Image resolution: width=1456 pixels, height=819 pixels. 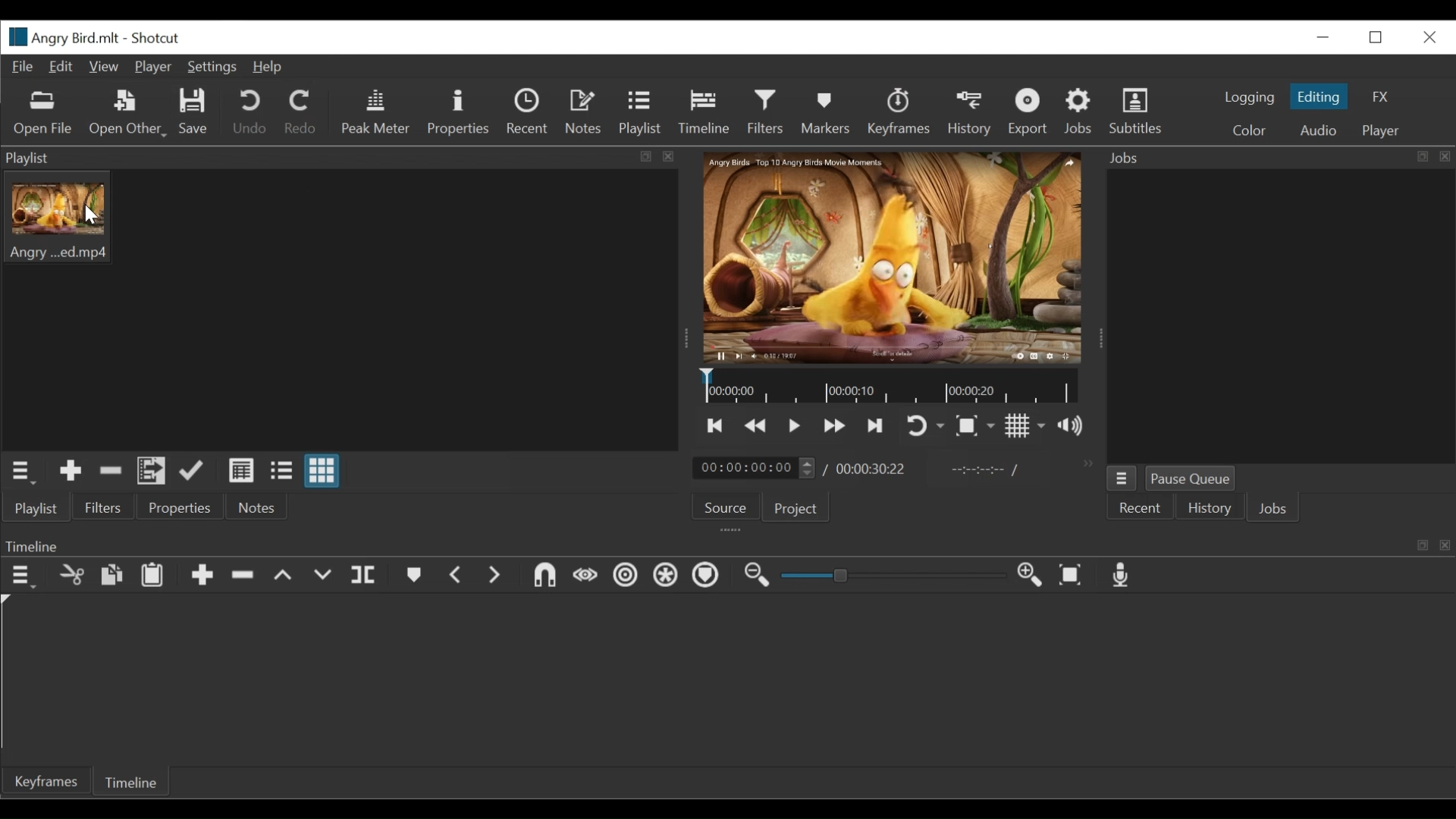 I want to click on Jobs menu, so click(x=1122, y=479).